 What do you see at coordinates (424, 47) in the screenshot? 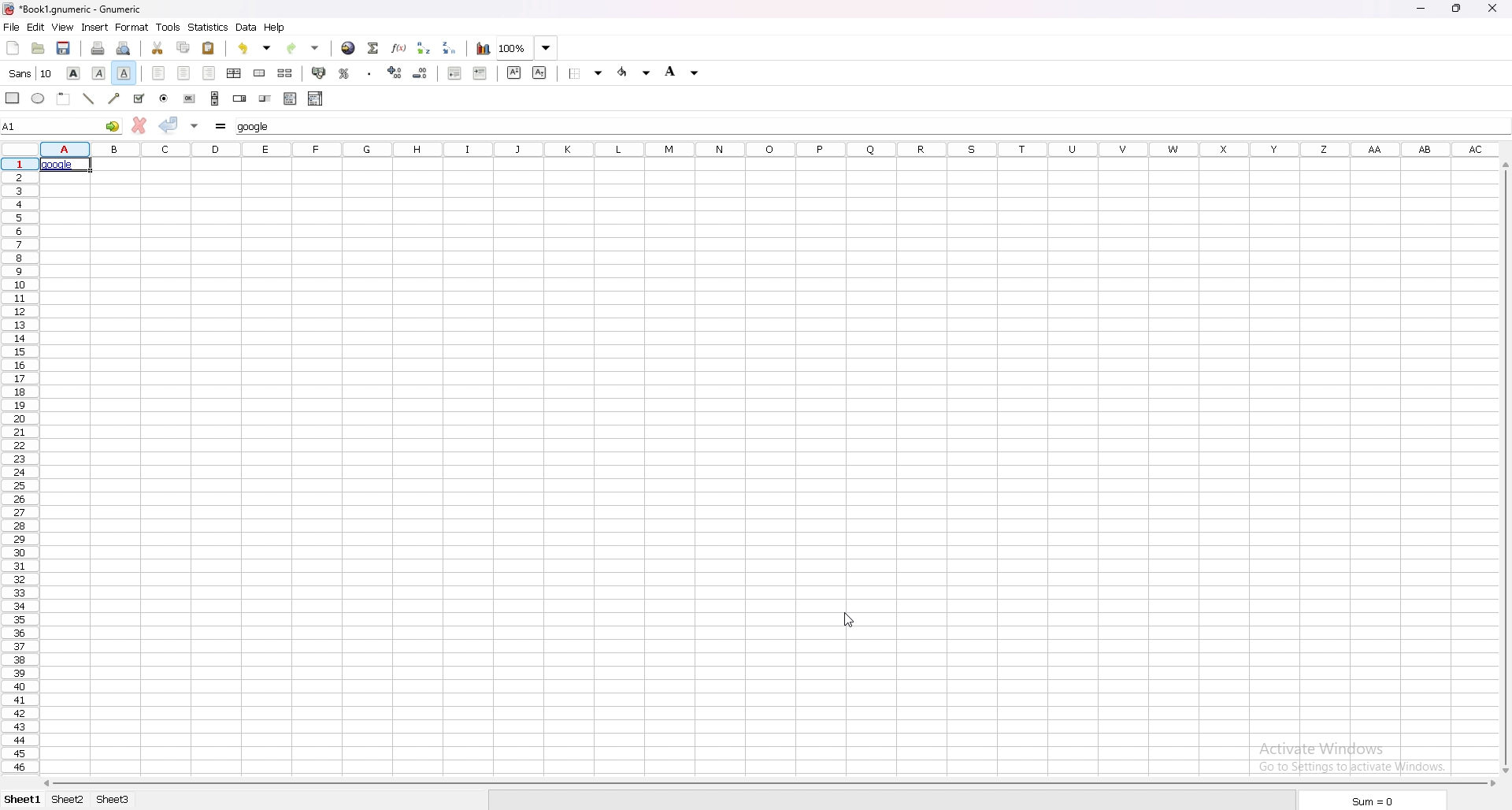
I see `sort ascending` at bounding box center [424, 47].